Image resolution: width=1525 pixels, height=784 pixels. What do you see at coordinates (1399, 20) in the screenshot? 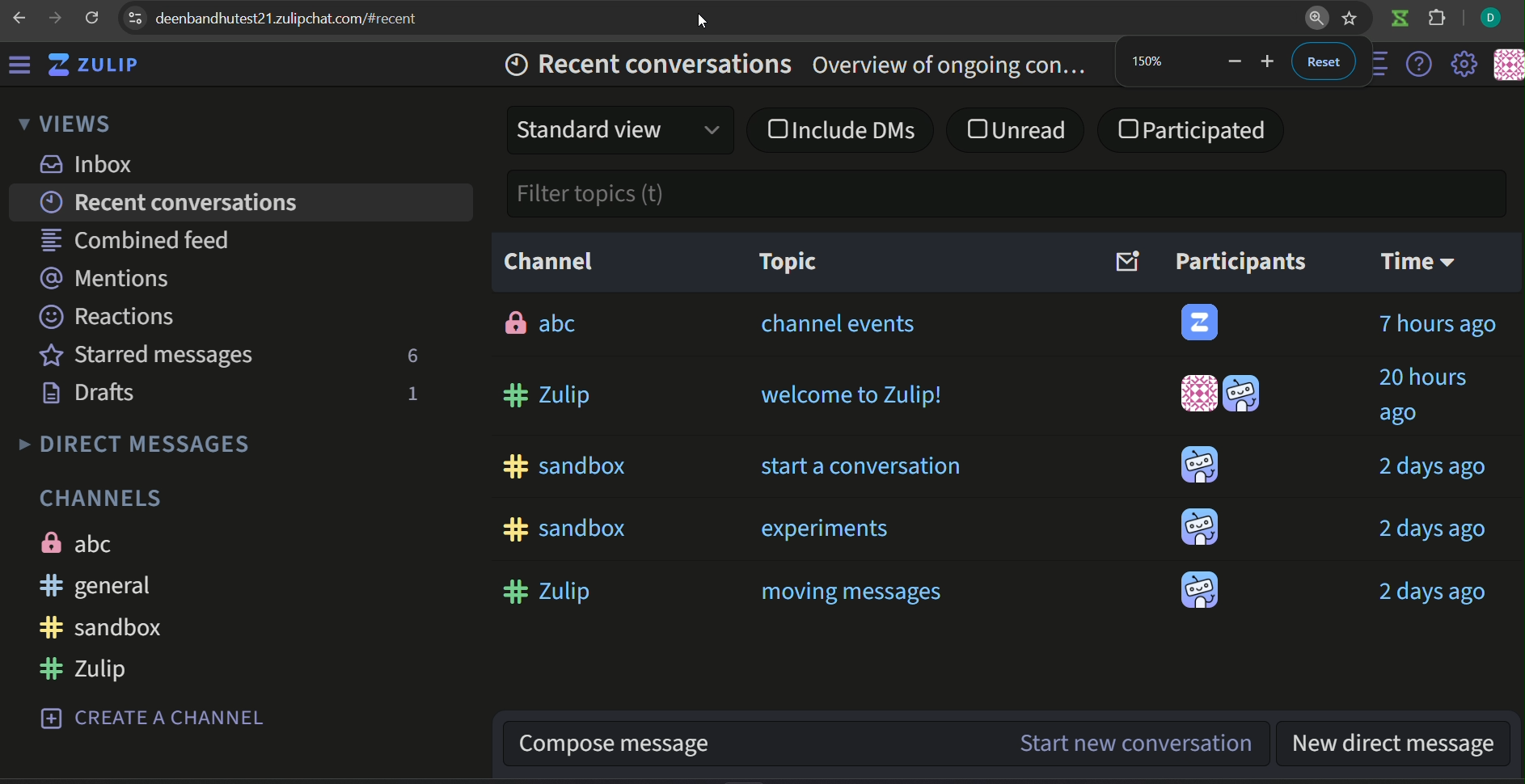
I see `icon` at bounding box center [1399, 20].